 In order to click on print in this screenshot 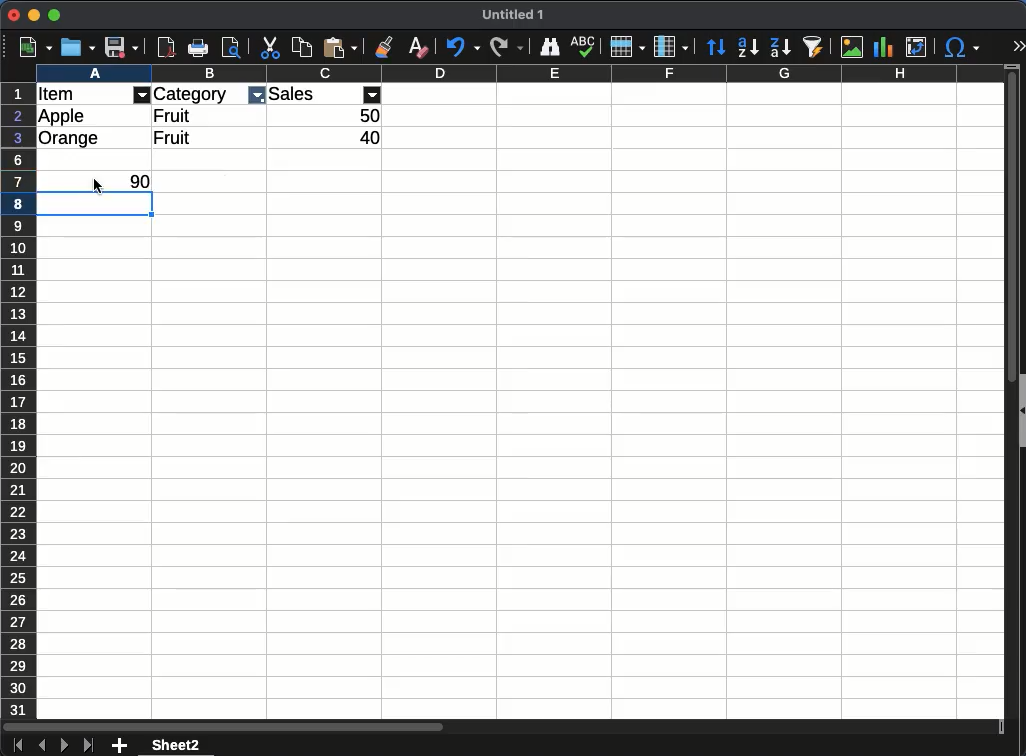, I will do `click(197, 47)`.